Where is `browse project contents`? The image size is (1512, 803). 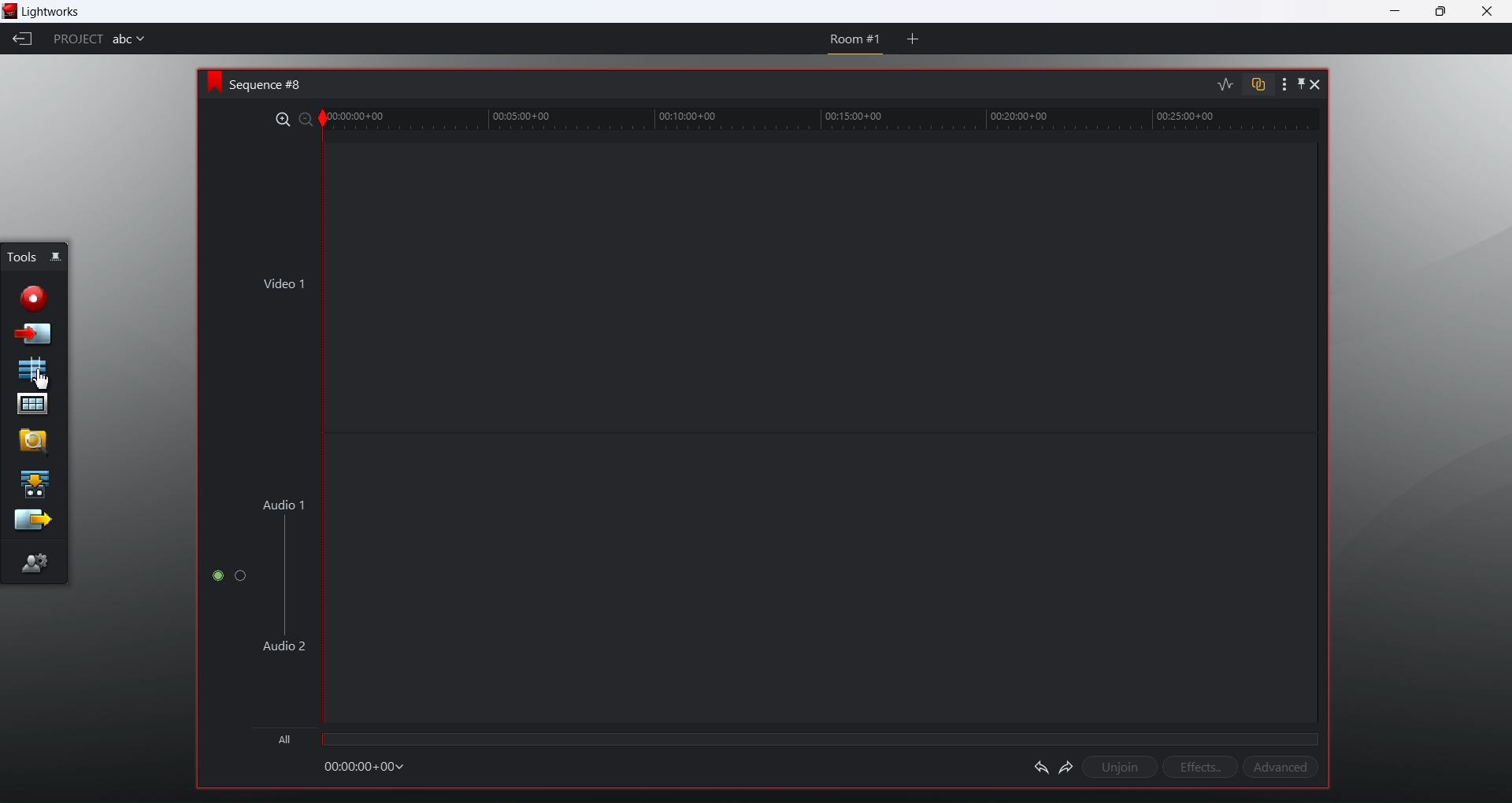 browse project contents is located at coordinates (29, 405).